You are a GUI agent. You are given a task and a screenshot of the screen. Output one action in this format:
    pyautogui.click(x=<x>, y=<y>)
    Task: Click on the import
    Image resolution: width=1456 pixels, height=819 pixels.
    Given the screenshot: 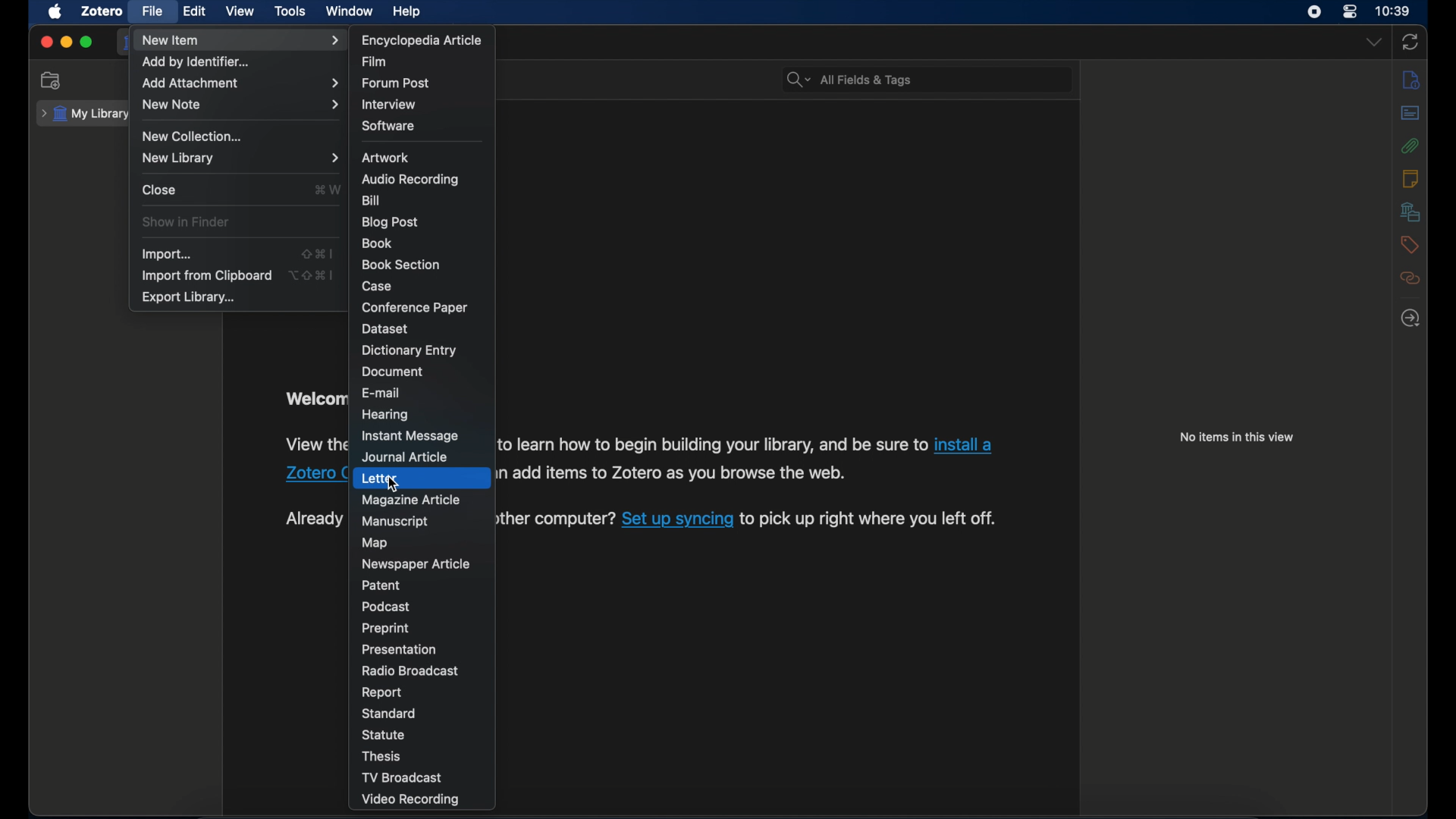 What is the action you would take?
    pyautogui.click(x=168, y=255)
    